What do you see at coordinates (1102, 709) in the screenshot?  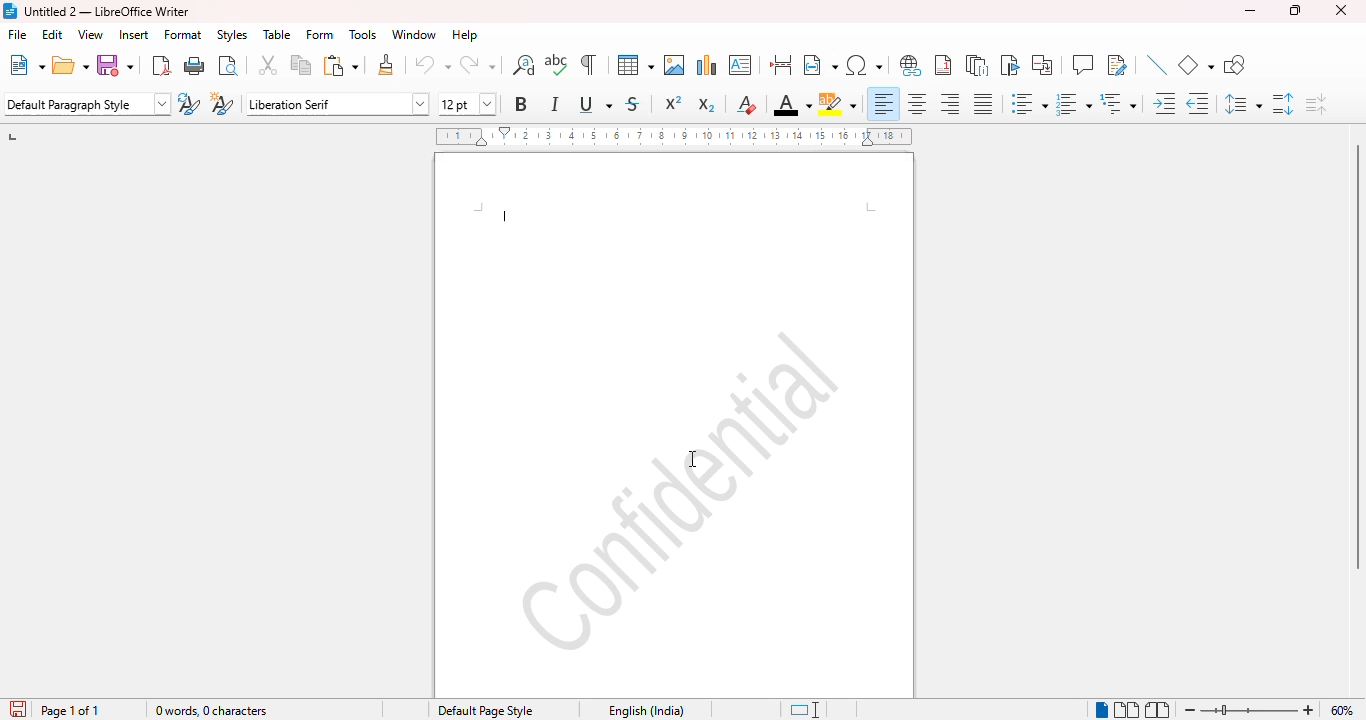 I see `single-page view` at bounding box center [1102, 709].